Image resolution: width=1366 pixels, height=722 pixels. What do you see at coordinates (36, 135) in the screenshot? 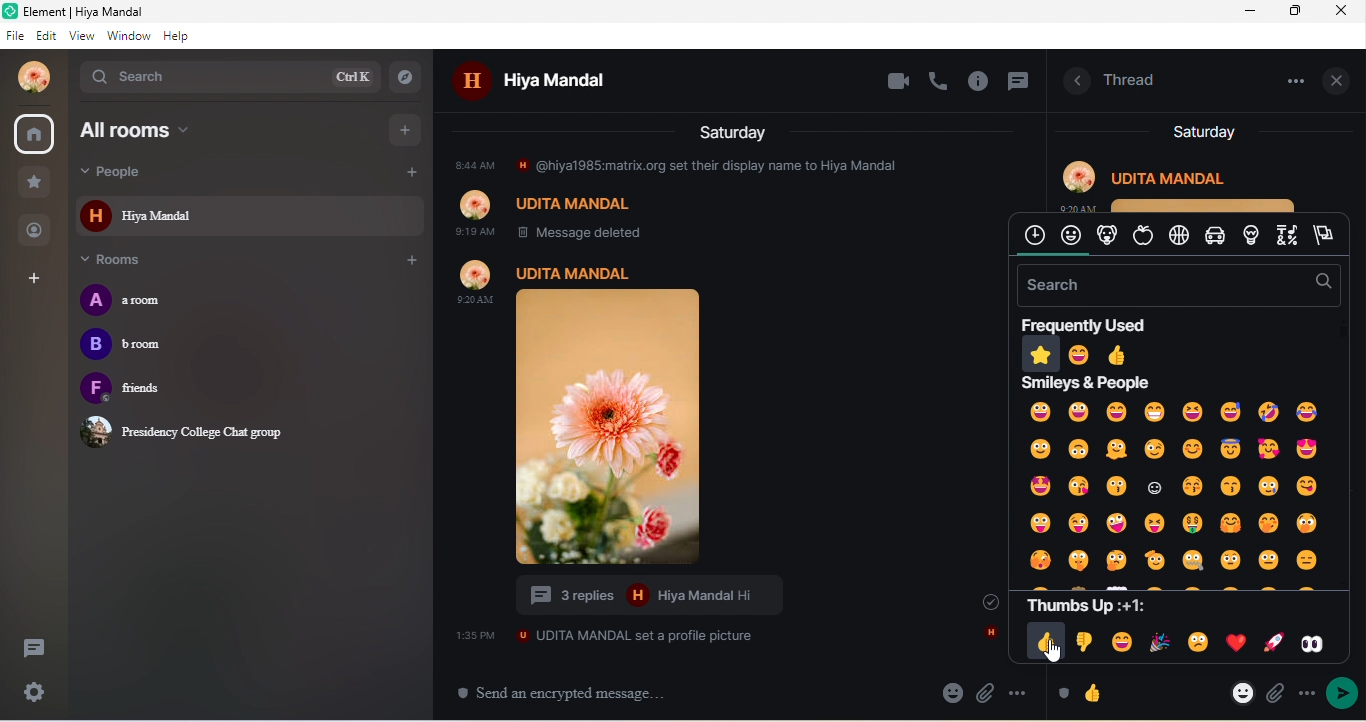
I see `all rooms` at bounding box center [36, 135].